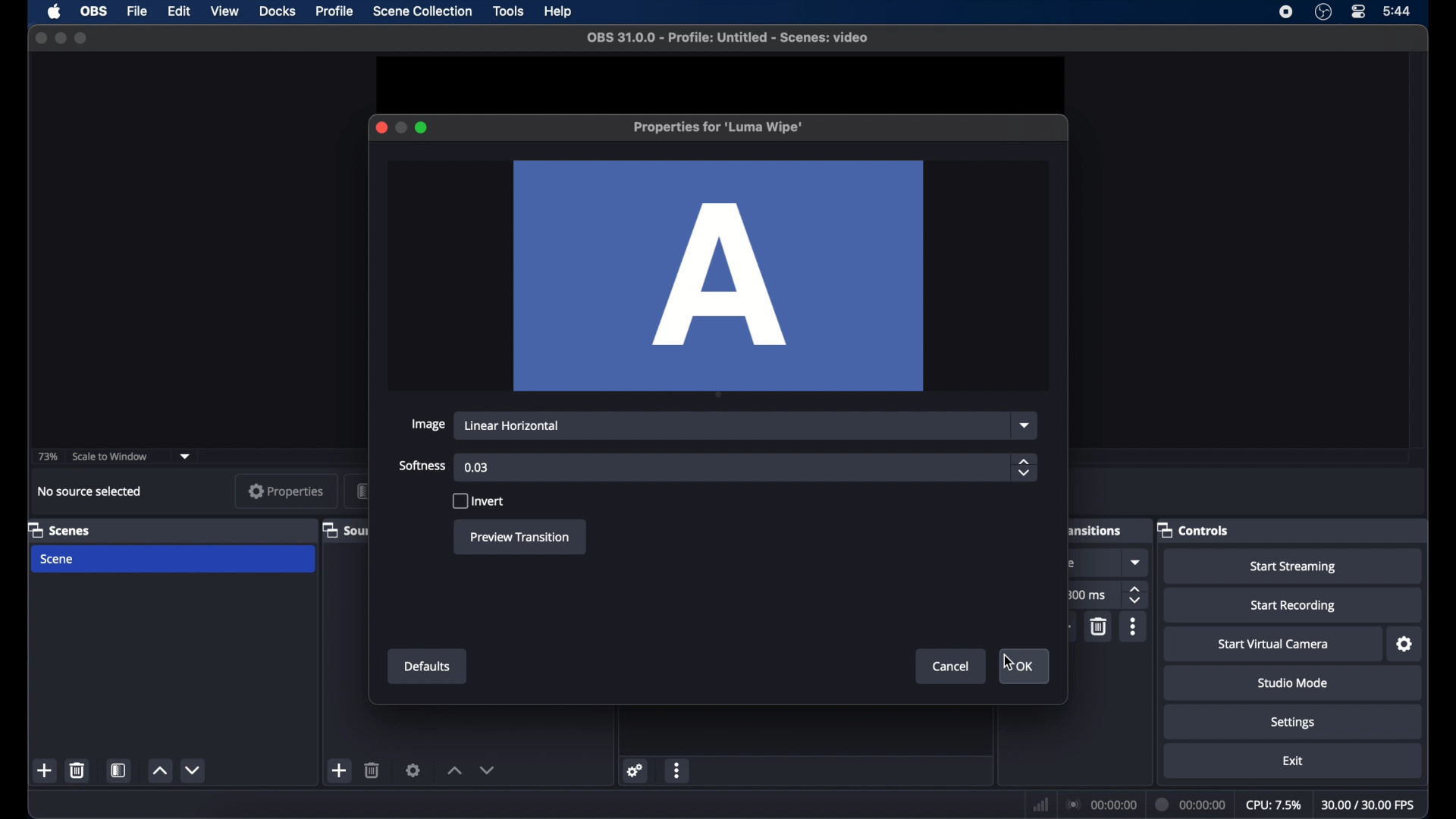  Describe the element at coordinates (110, 455) in the screenshot. I see `scale to window` at that location.